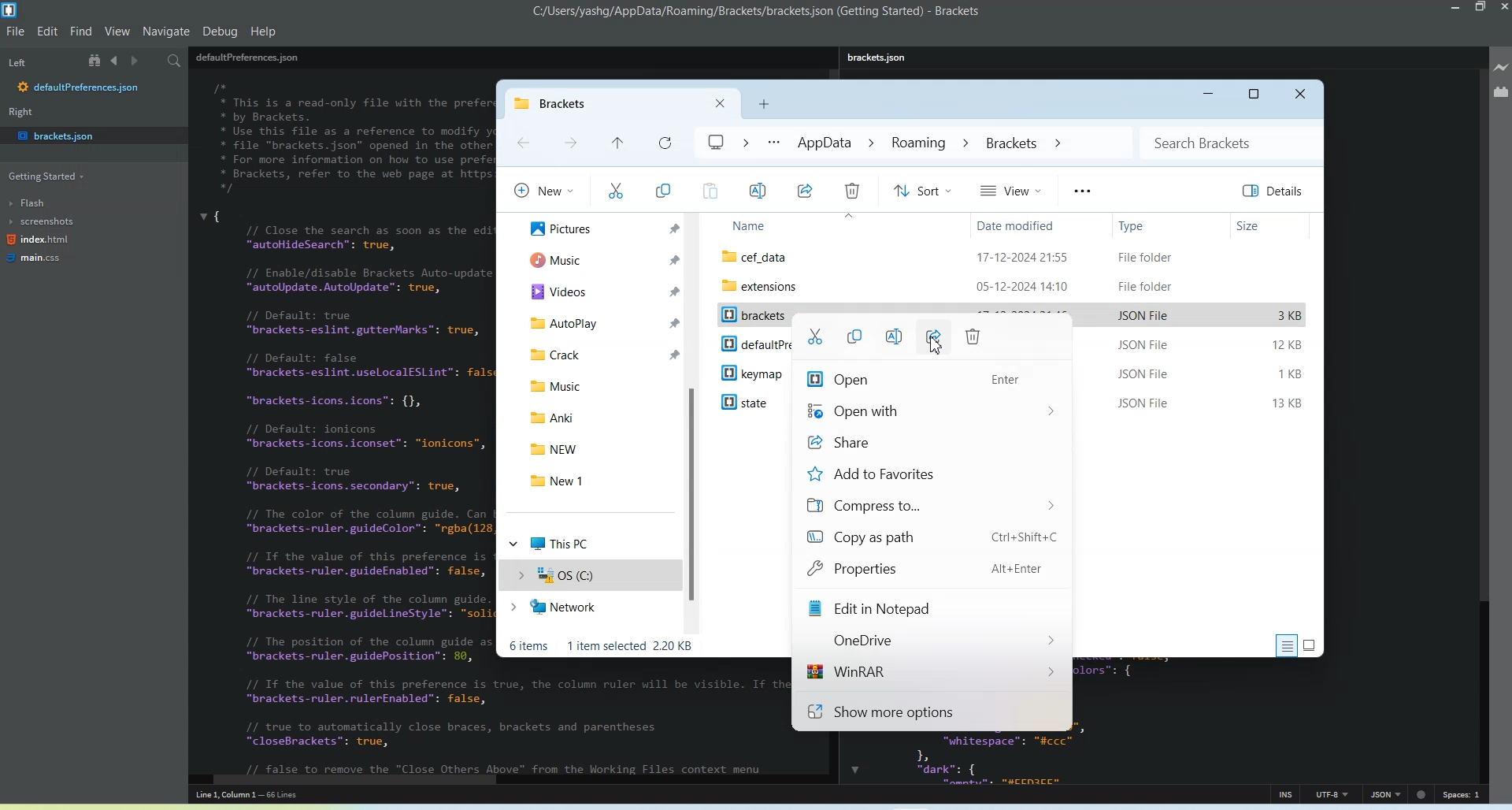 The height and width of the screenshot is (810, 1512). What do you see at coordinates (82, 32) in the screenshot?
I see `Find` at bounding box center [82, 32].